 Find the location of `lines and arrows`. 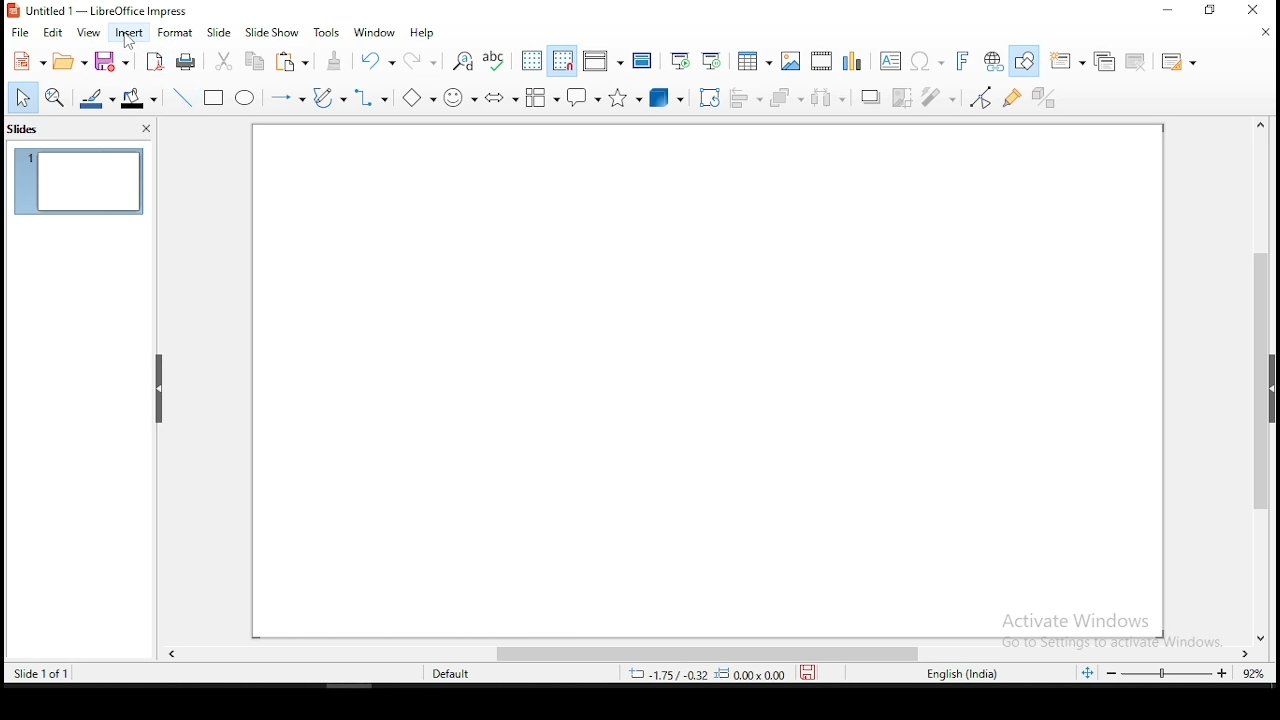

lines and arrows is located at coordinates (289, 99).